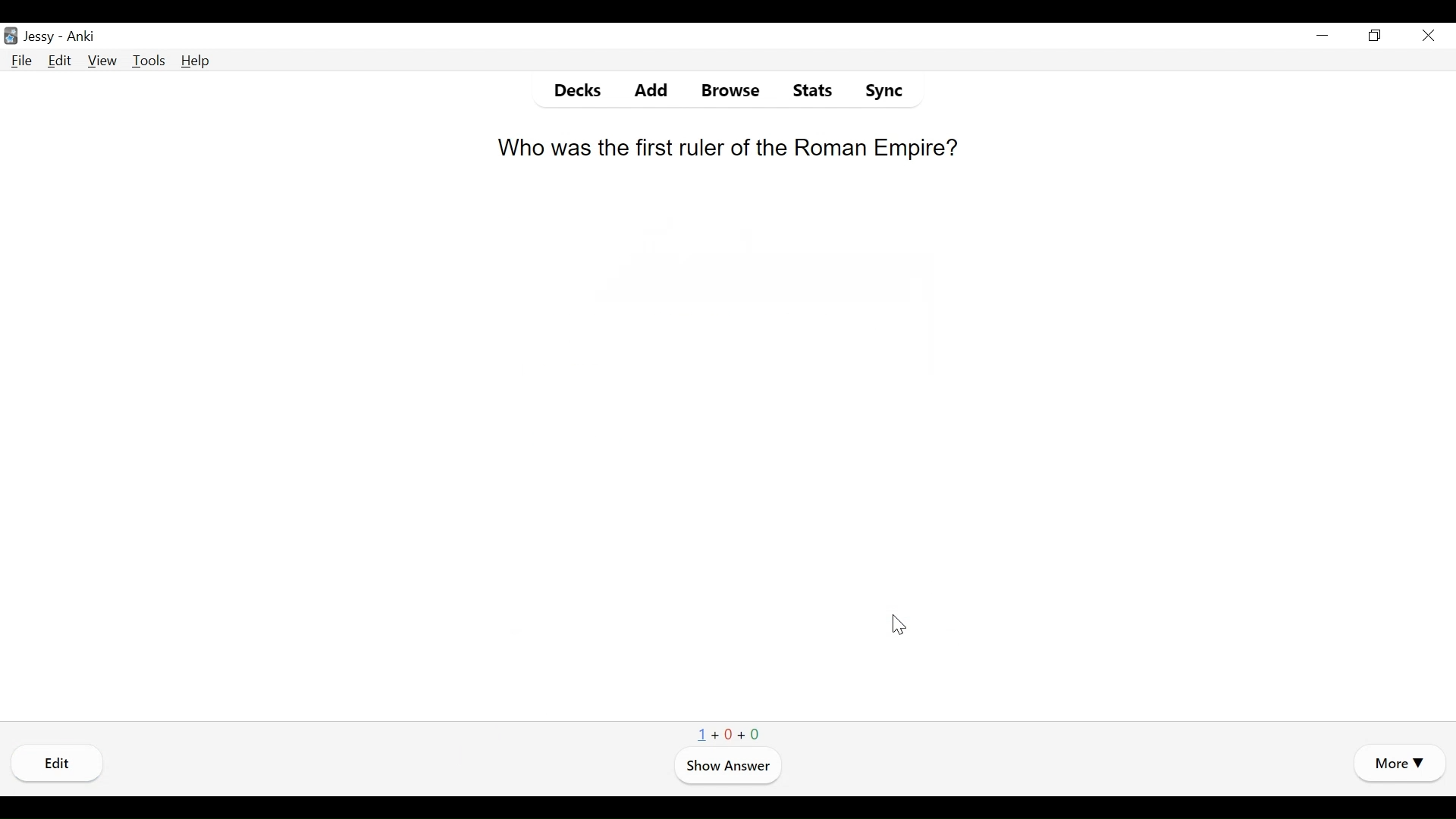 This screenshot has width=1456, height=819. Describe the element at coordinates (880, 90) in the screenshot. I see `Sync` at that location.